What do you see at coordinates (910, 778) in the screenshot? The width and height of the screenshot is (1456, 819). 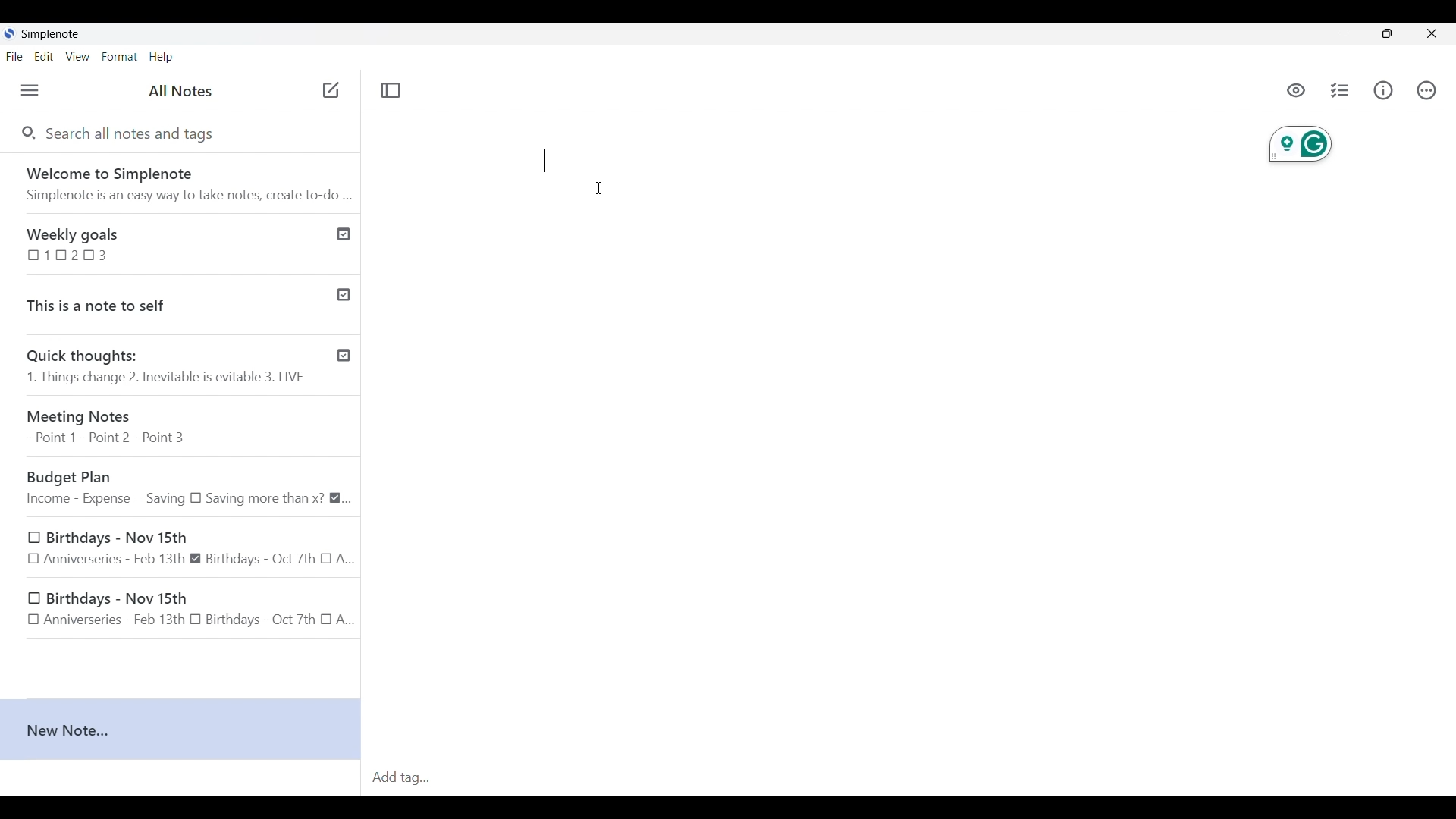 I see `Click to type in tag` at bounding box center [910, 778].